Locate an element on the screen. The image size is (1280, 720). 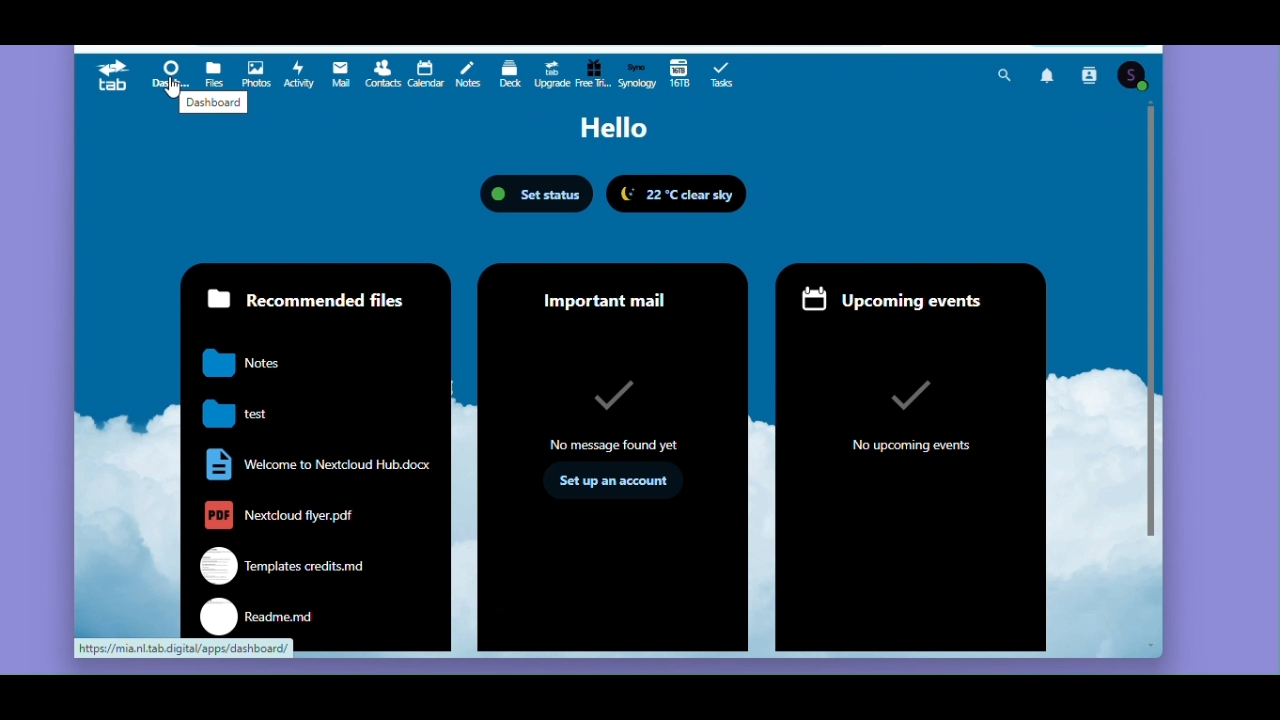
Retrieval is located at coordinates (594, 75).